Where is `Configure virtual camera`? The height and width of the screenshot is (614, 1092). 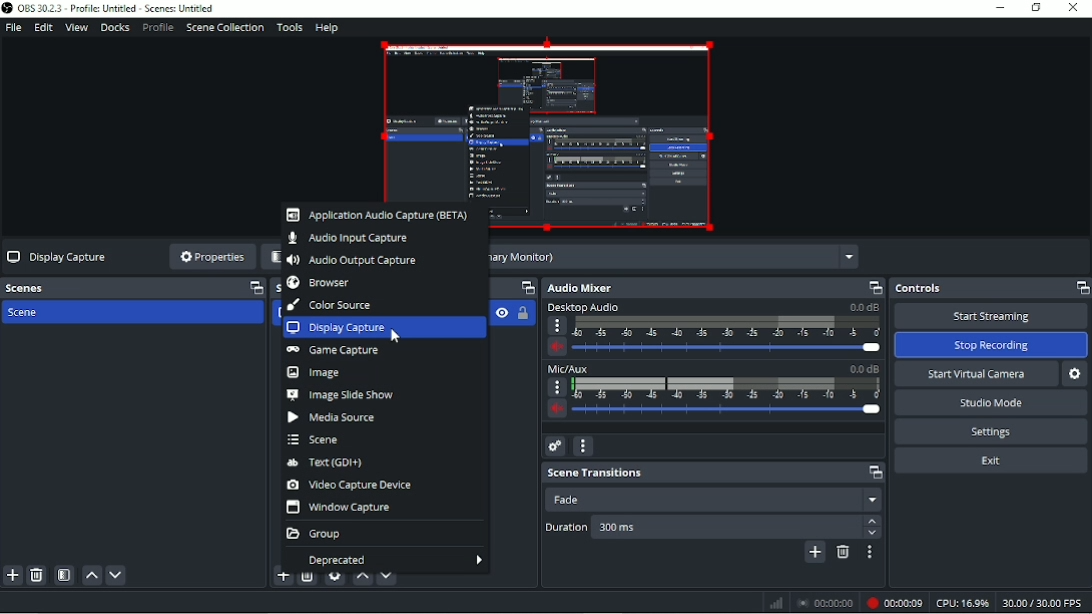
Configure virtual camera is located at coordinates (1075, 374).